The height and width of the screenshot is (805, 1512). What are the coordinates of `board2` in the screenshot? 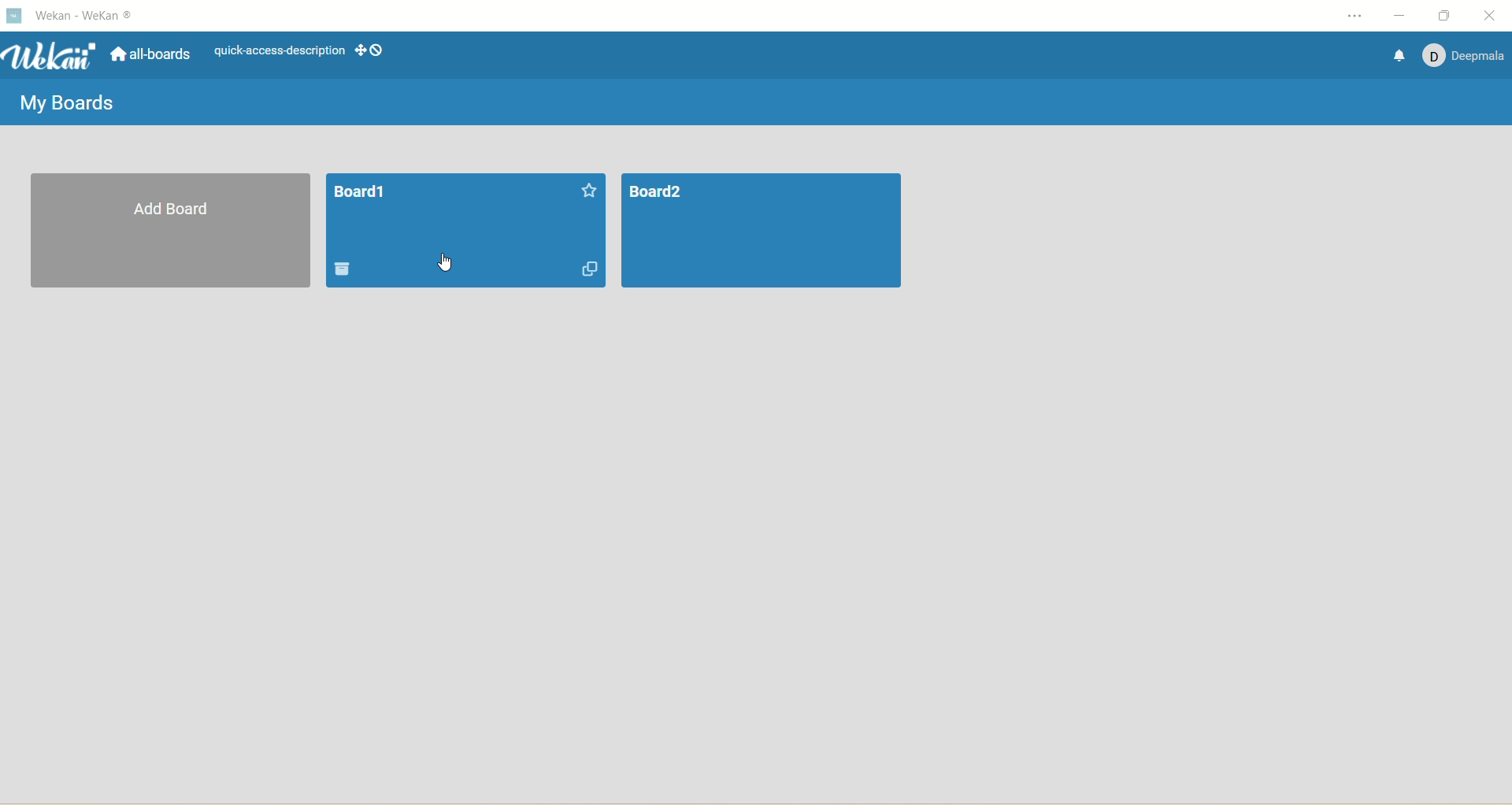 It's located at (758, 231).